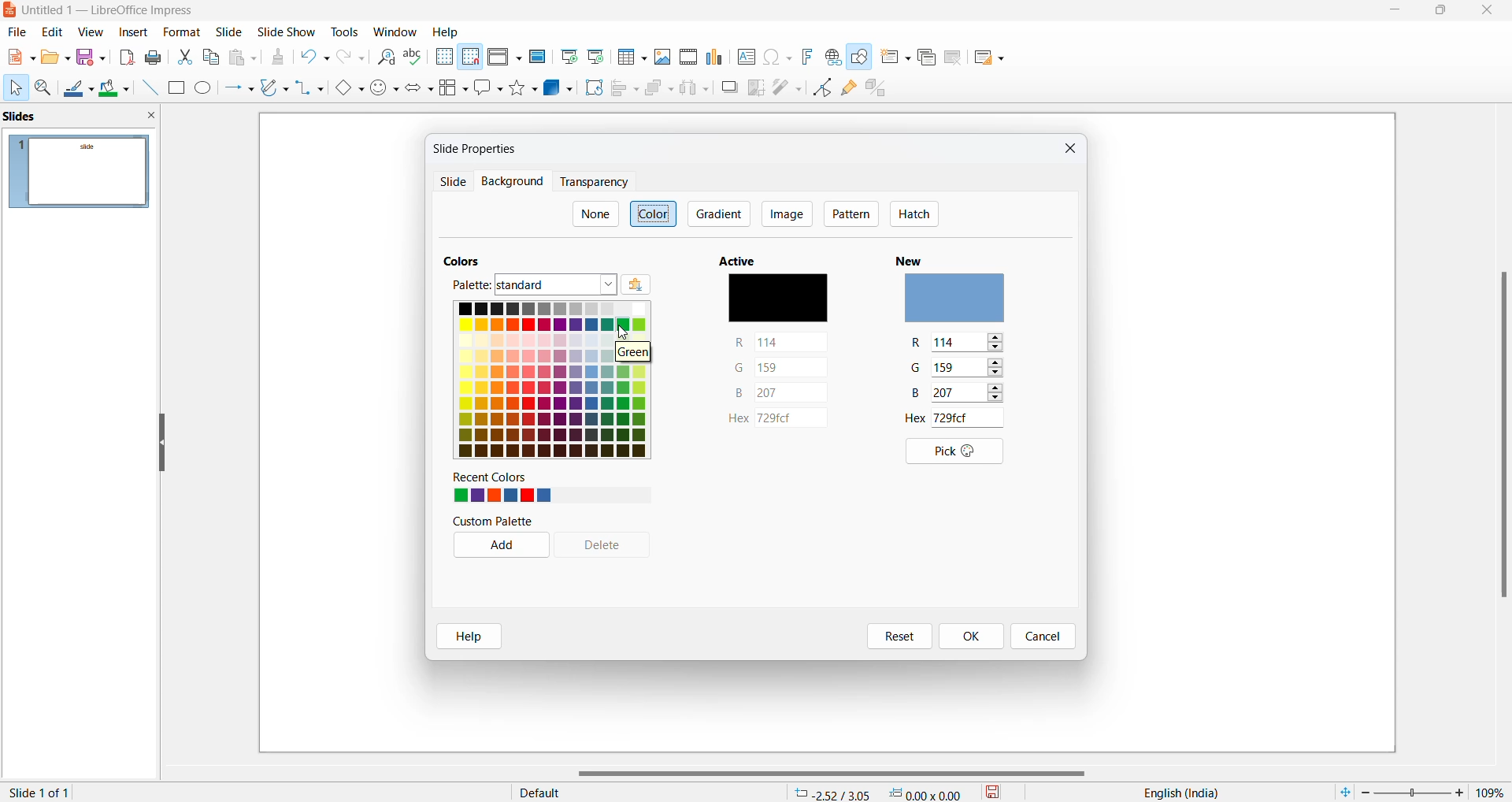 Image resolution: width=1512 pixels, height=802 pixels. What do you see at coordinates (116, 89) in the screenshot?
I see `fill color ` at bounding box center [116, 89].